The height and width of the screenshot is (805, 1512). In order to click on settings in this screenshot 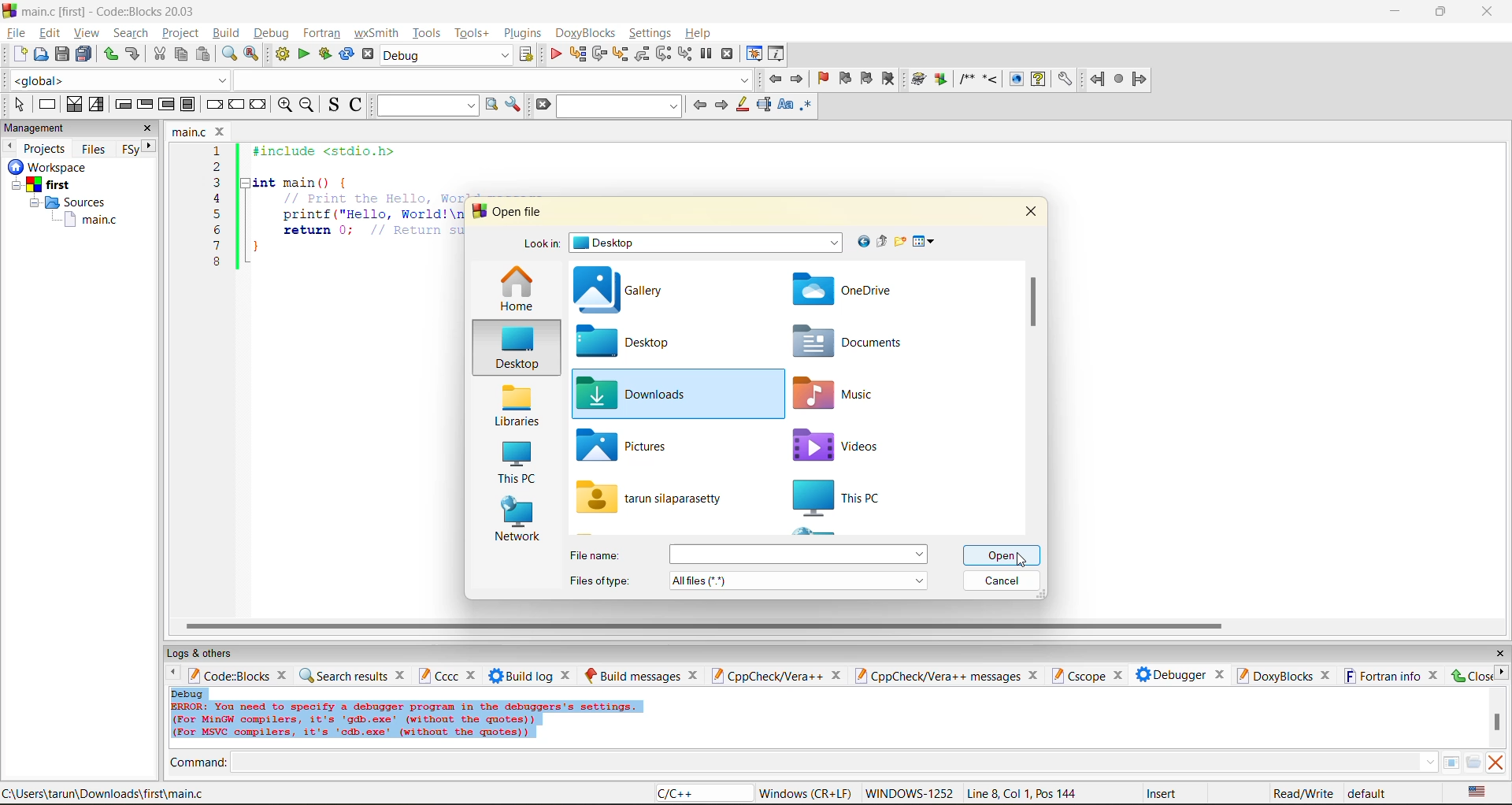, I will do `click(1064, 80)`.